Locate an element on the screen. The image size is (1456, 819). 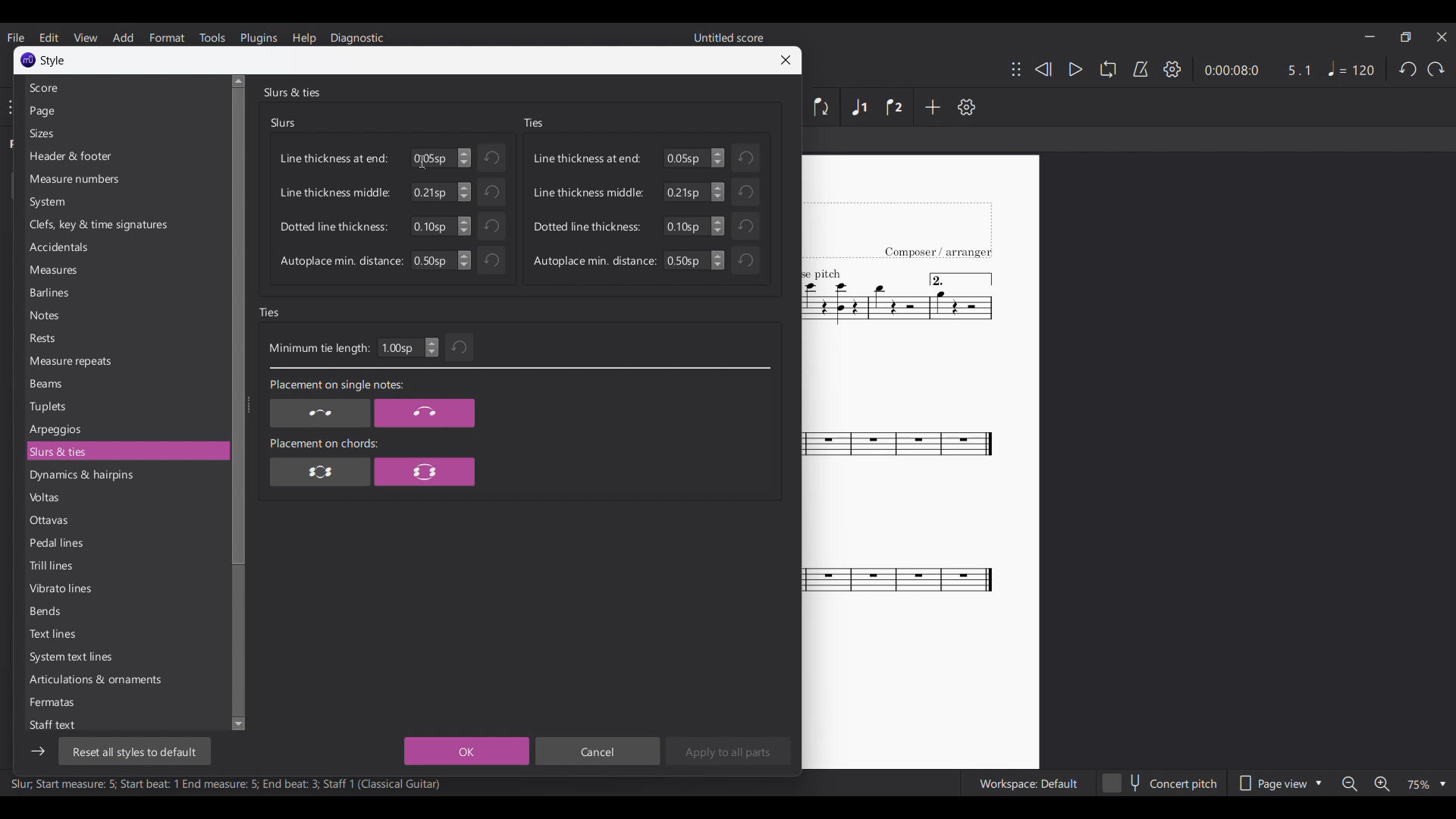
Tuplets is located at coordinates (124, 406).